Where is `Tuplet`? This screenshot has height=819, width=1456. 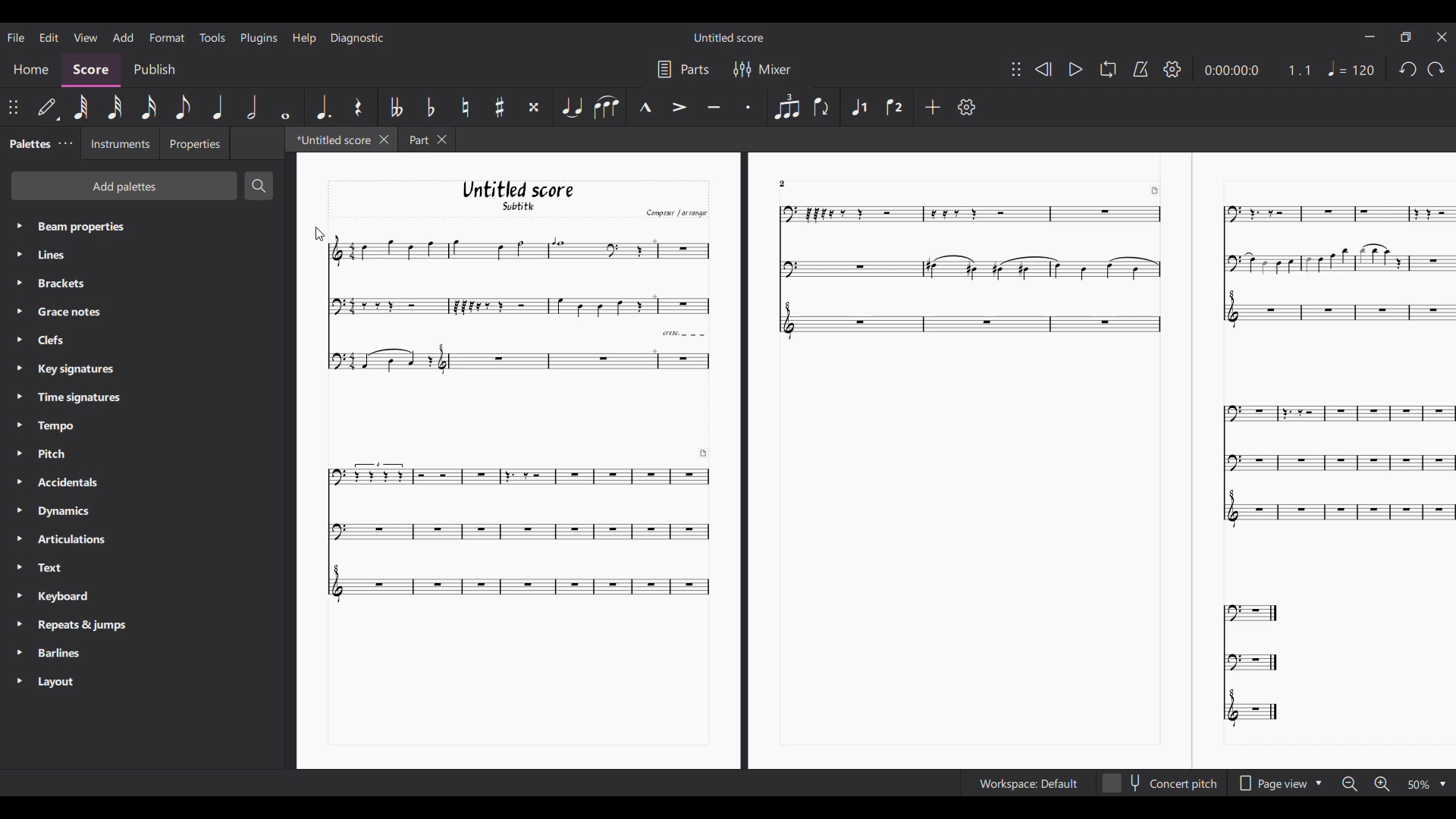
Tuplet is located at coordinates (786, 106).